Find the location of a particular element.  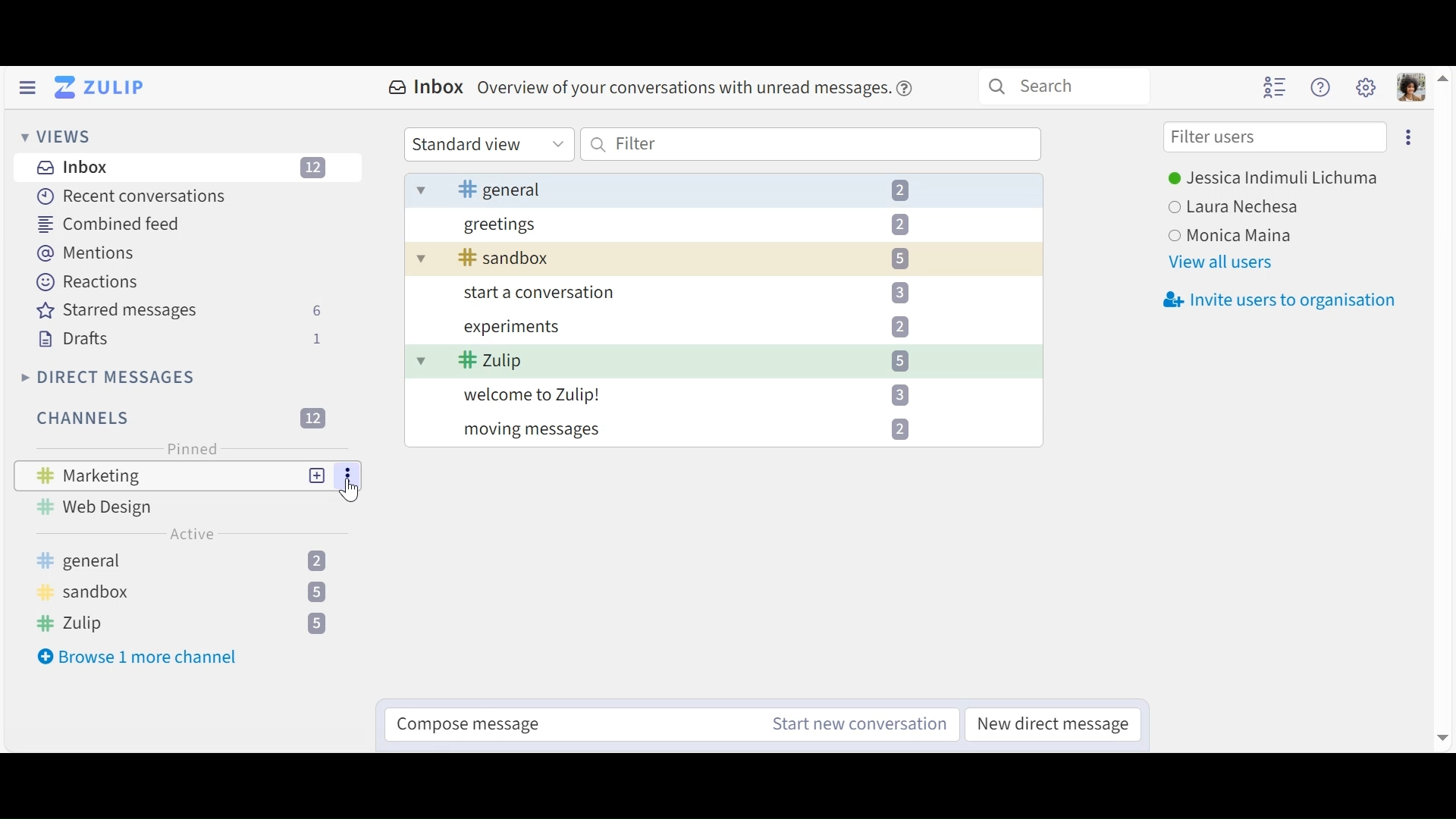

user2 is located at coordinates (1241, 207).